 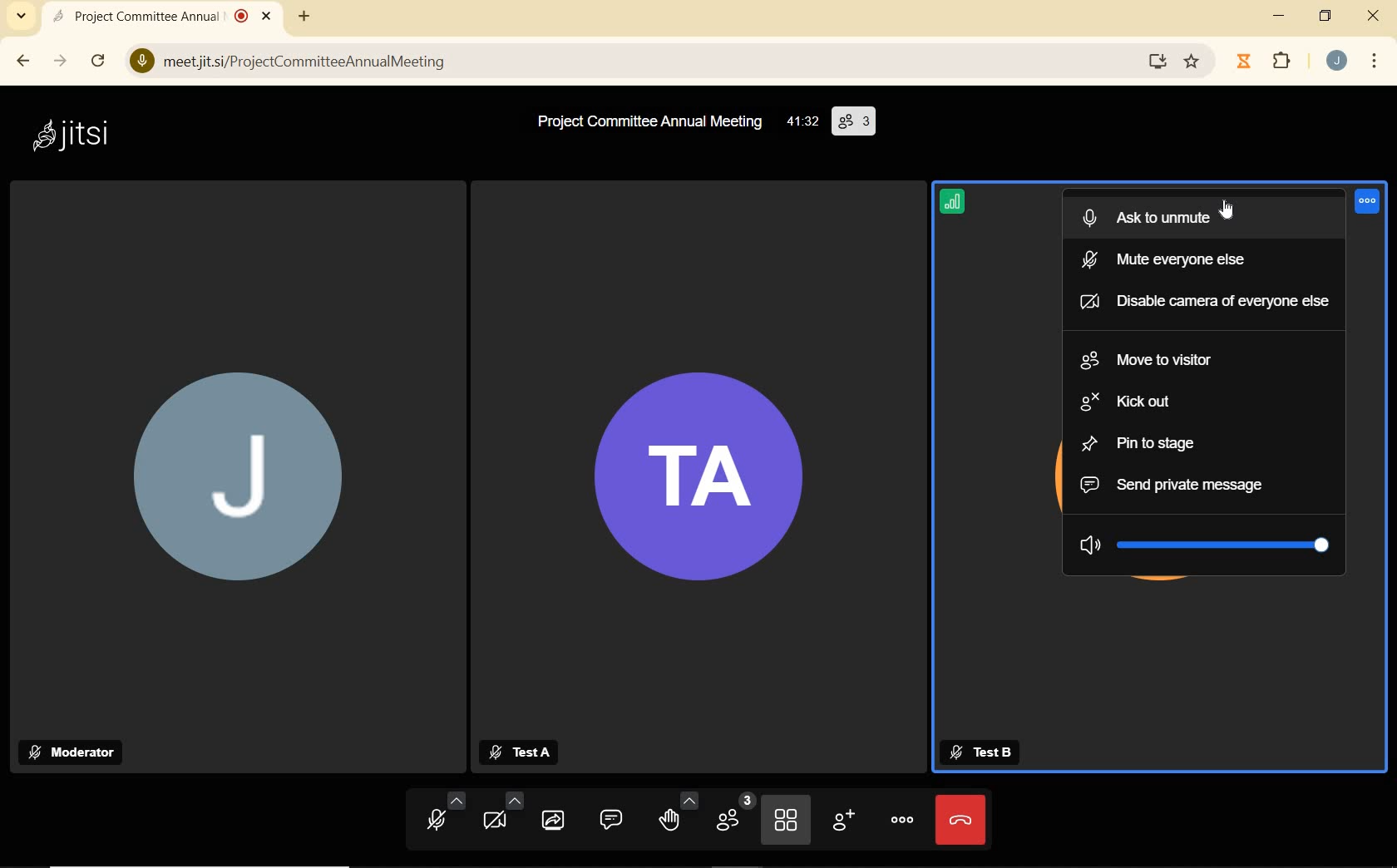 What do you see at coordinates (1204, 542) in the screenshot?
I see `VOLUME  BAR` at bounding box center [1204, 542].